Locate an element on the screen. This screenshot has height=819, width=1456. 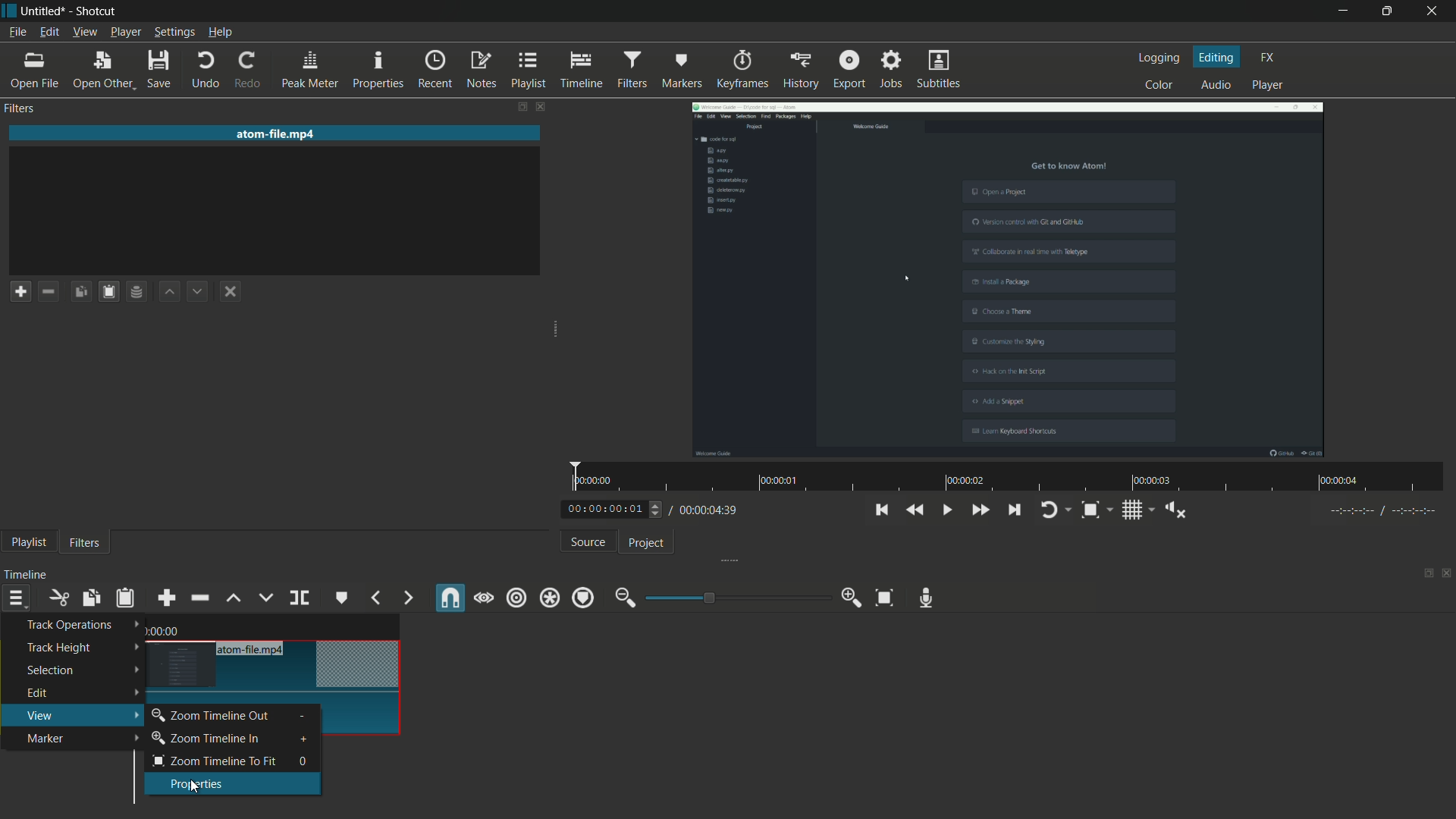
zoom timeline to fit is located at coordinates (216, 762).